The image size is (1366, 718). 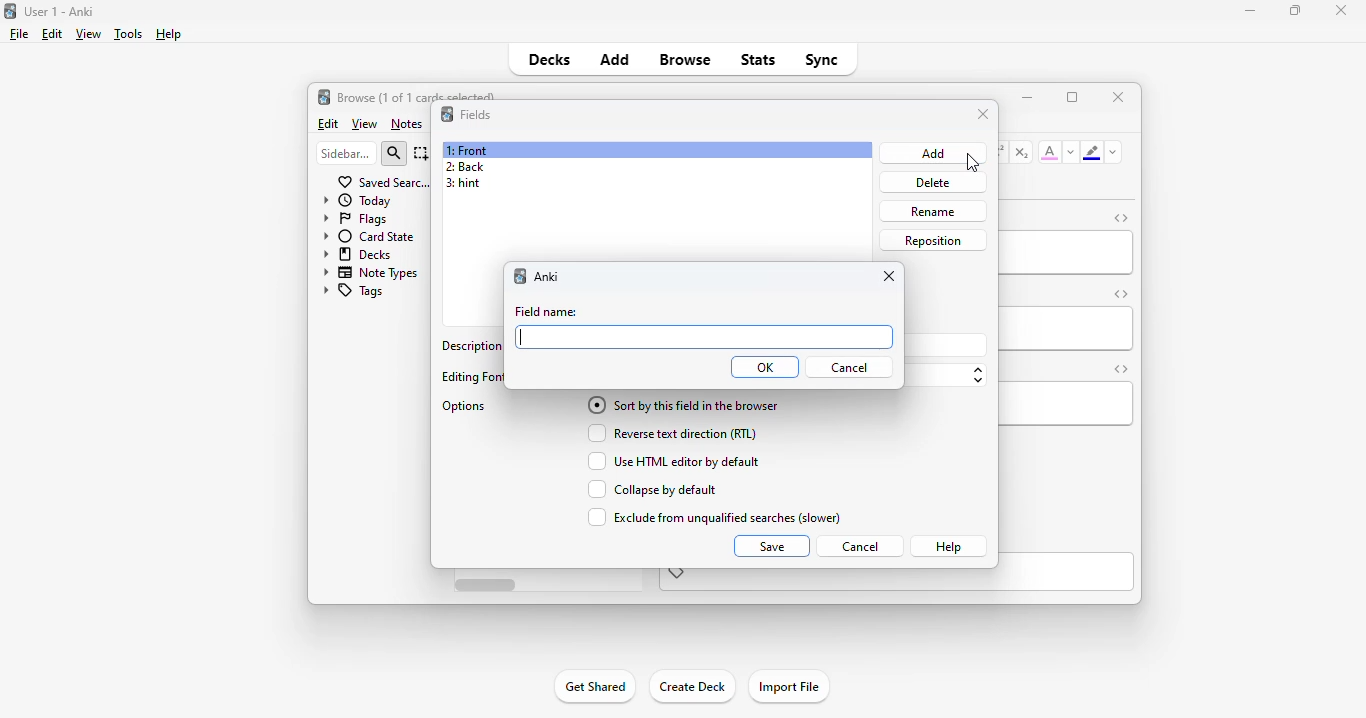 What do you see at coordinates (691, 685) in the screenshot?
I see `create deck` at bounding box center [691, 685].